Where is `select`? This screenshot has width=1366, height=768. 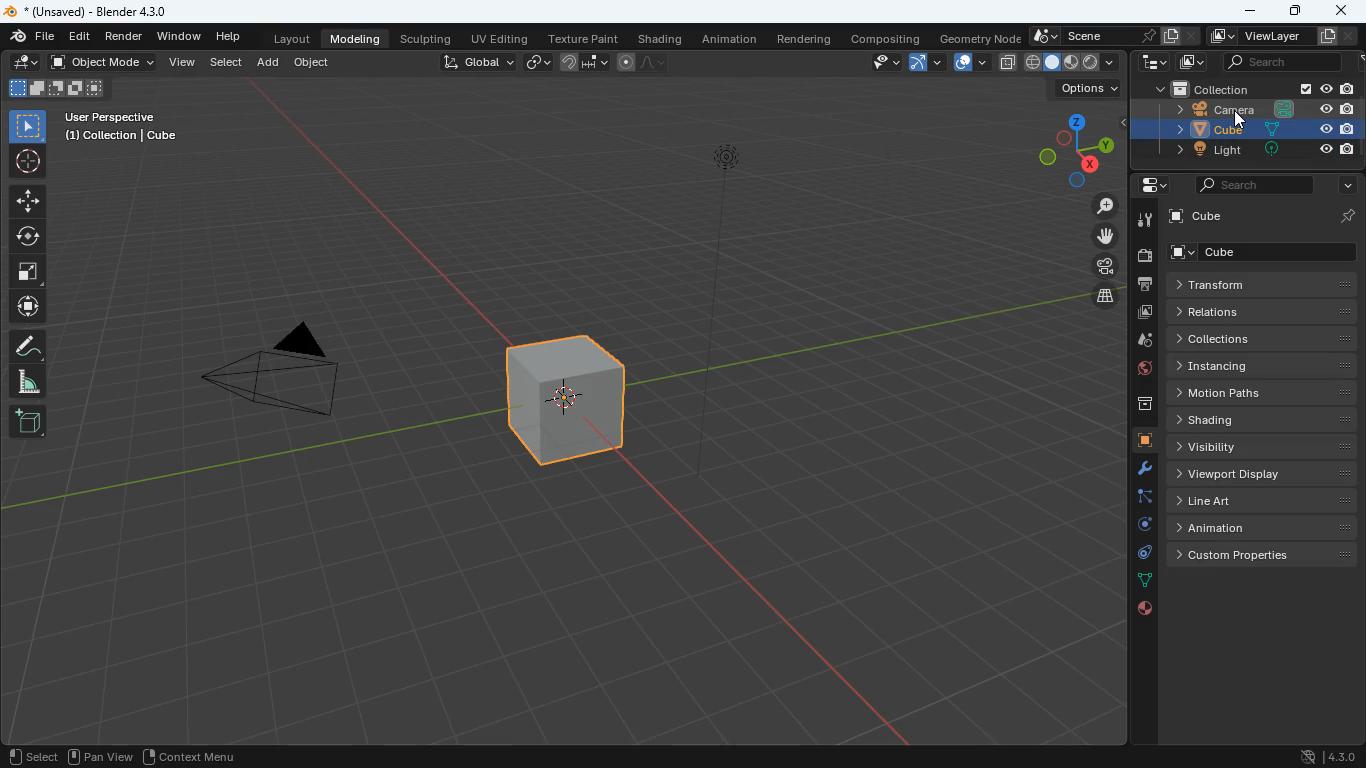 select is located at coordinates (225, 64).